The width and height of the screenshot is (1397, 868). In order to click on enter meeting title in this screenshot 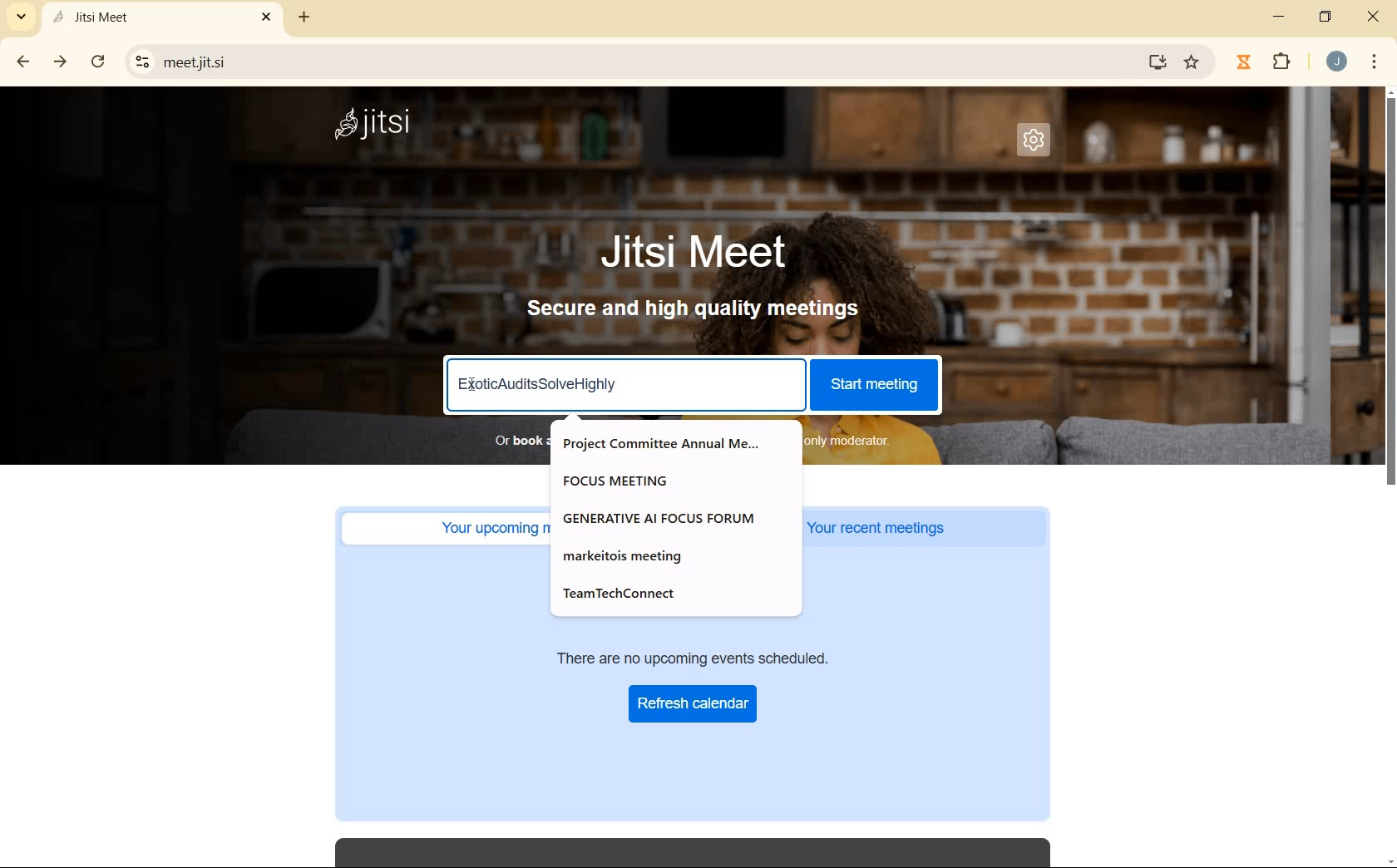, I will do `click(625, 387)`.